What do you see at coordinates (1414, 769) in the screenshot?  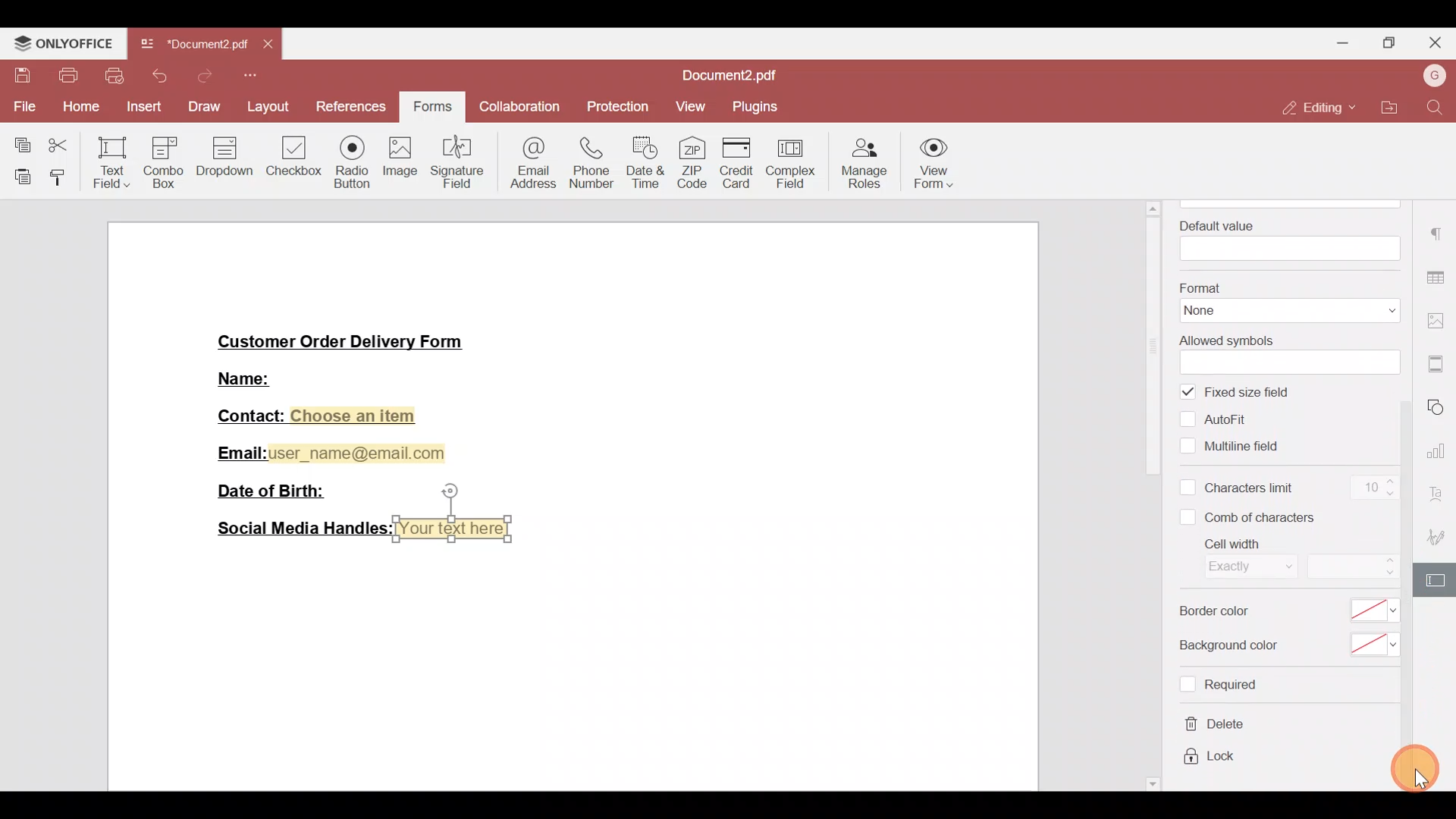 I see `Cursor` at bounding box center [1414, 769].